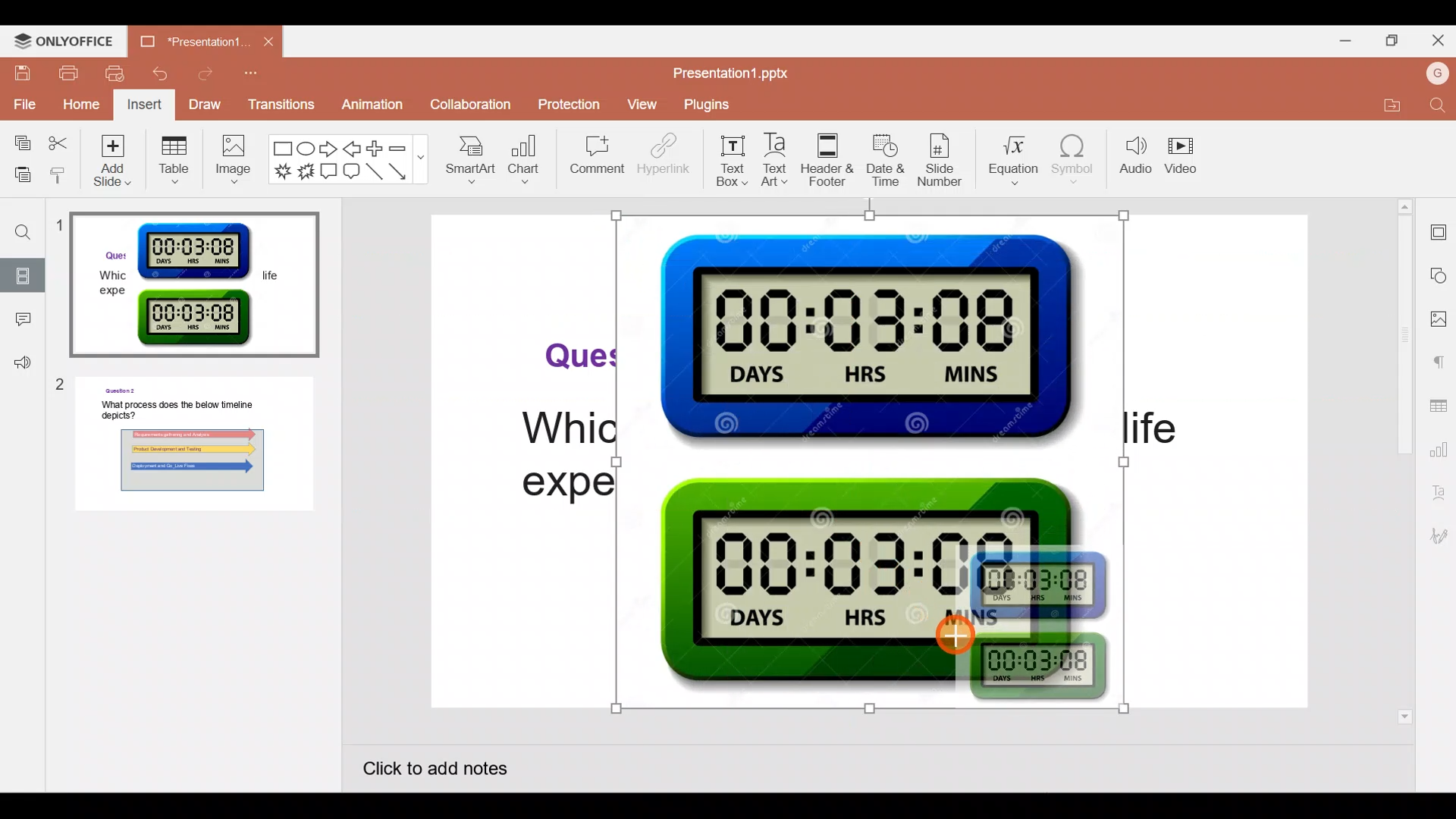 This screenshot has height=819, width=1456. Describe the element at coordinates (329, 174) in the screenshot. I see `Rectangular callout` at that location.